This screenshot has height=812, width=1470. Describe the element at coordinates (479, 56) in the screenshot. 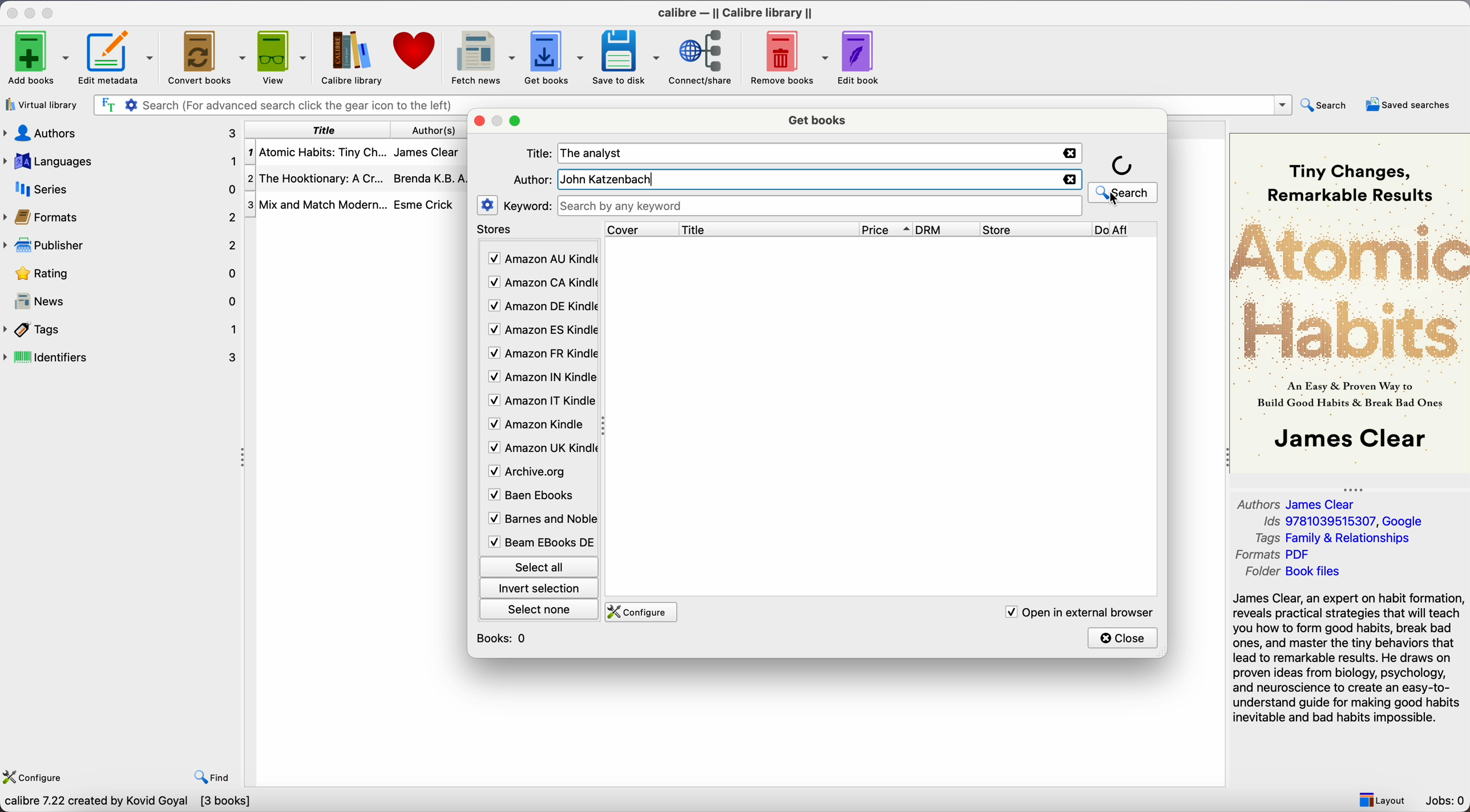

I see `fetch news` at that location.